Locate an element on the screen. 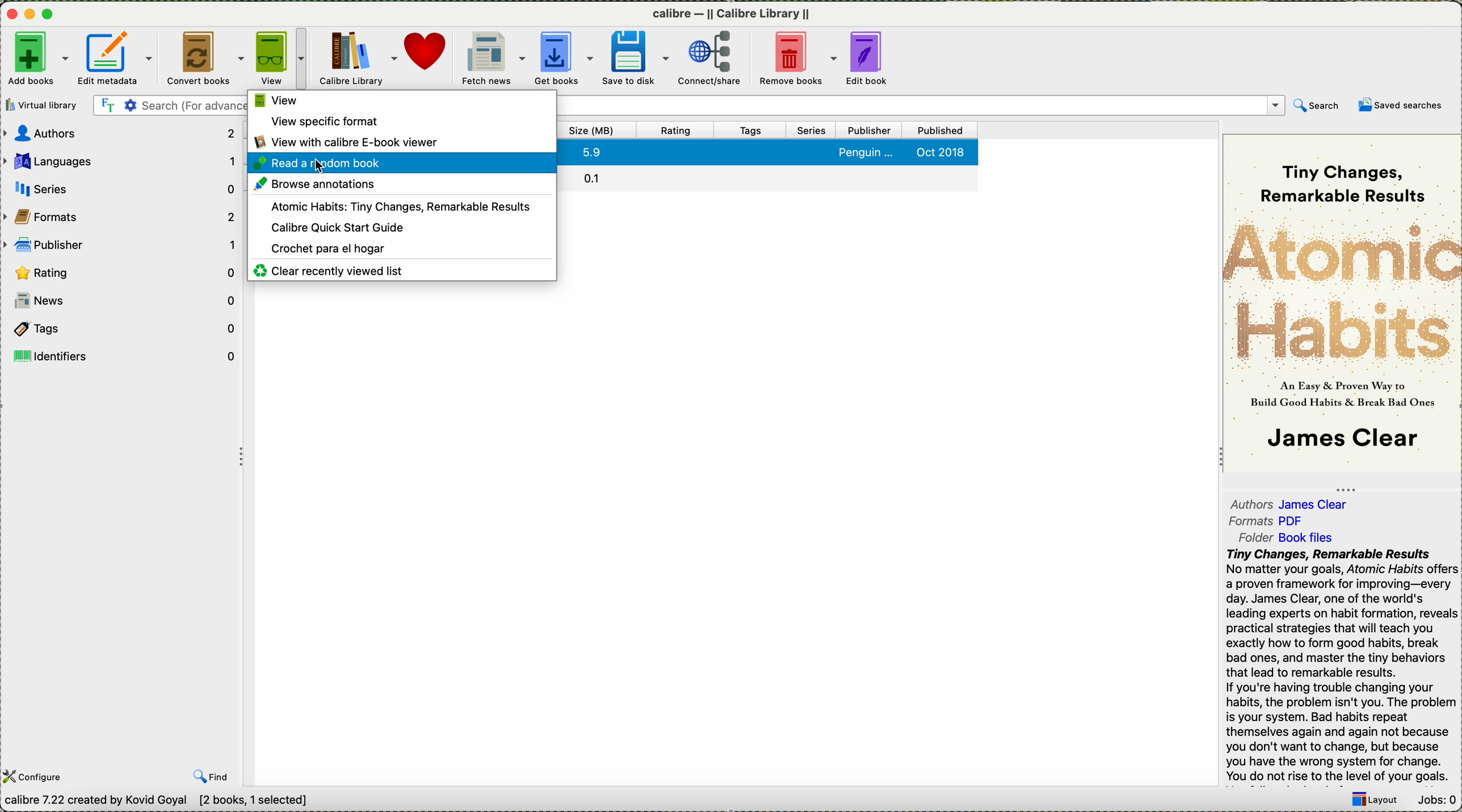 Image resolution: width=1462 pixels, height=812 pixels. tags is located at coordinates (751, 131).